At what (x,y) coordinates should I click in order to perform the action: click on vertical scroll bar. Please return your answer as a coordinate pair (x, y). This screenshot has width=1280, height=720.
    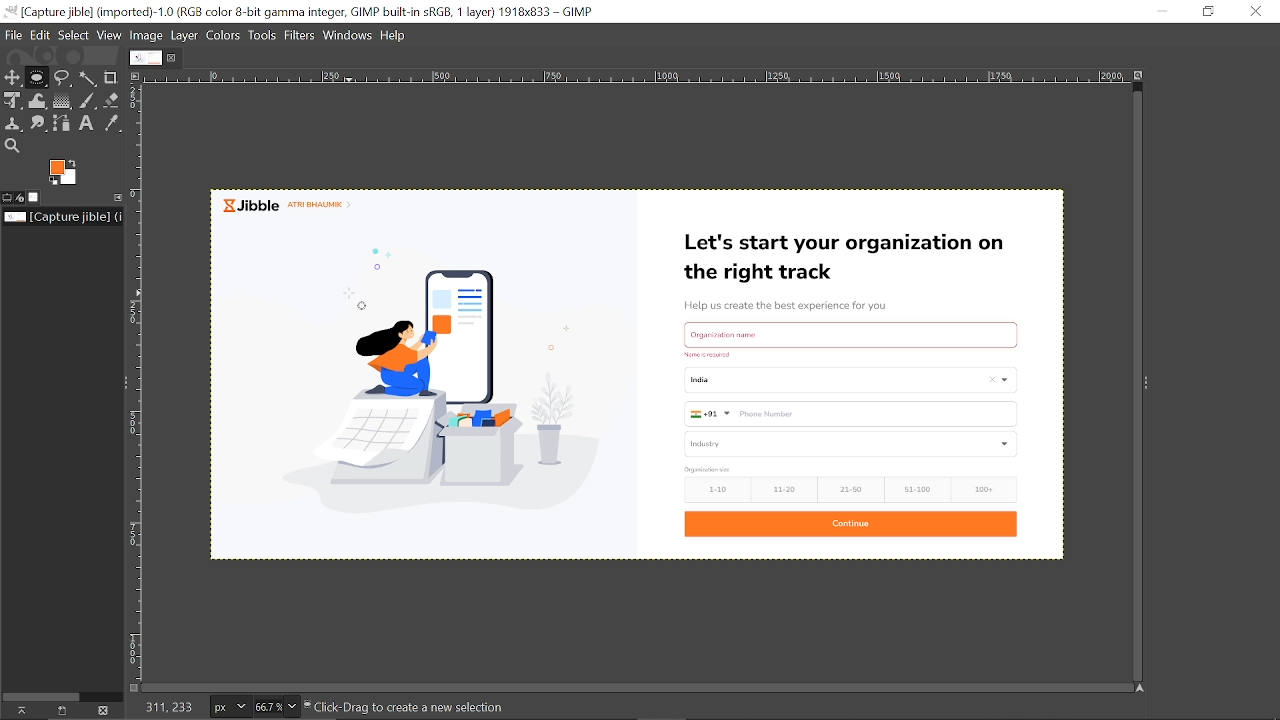
    Looking at the image, I should click on (1128, 381).